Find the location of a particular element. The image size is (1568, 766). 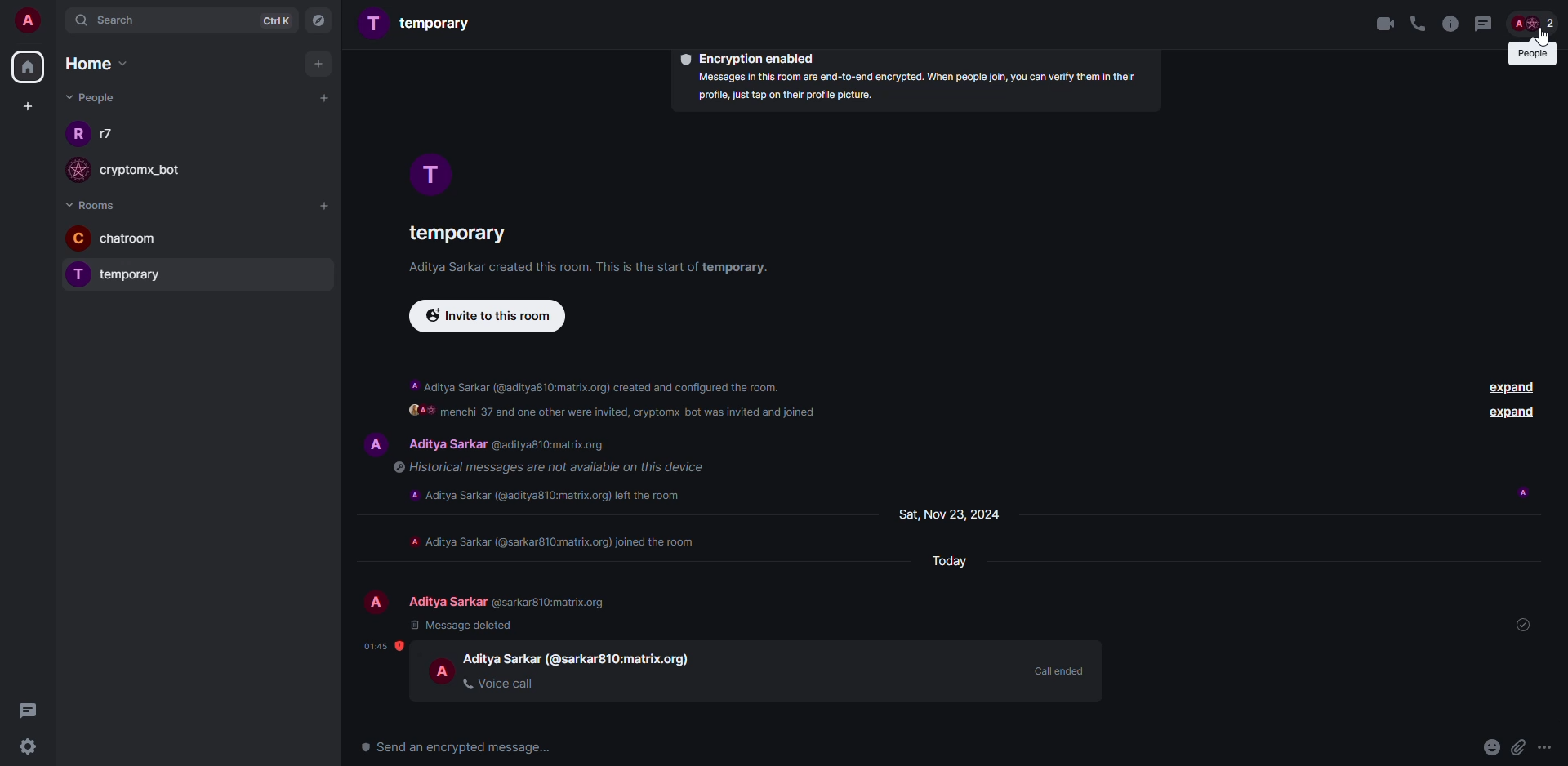

text is located at coordinates (616, 414).